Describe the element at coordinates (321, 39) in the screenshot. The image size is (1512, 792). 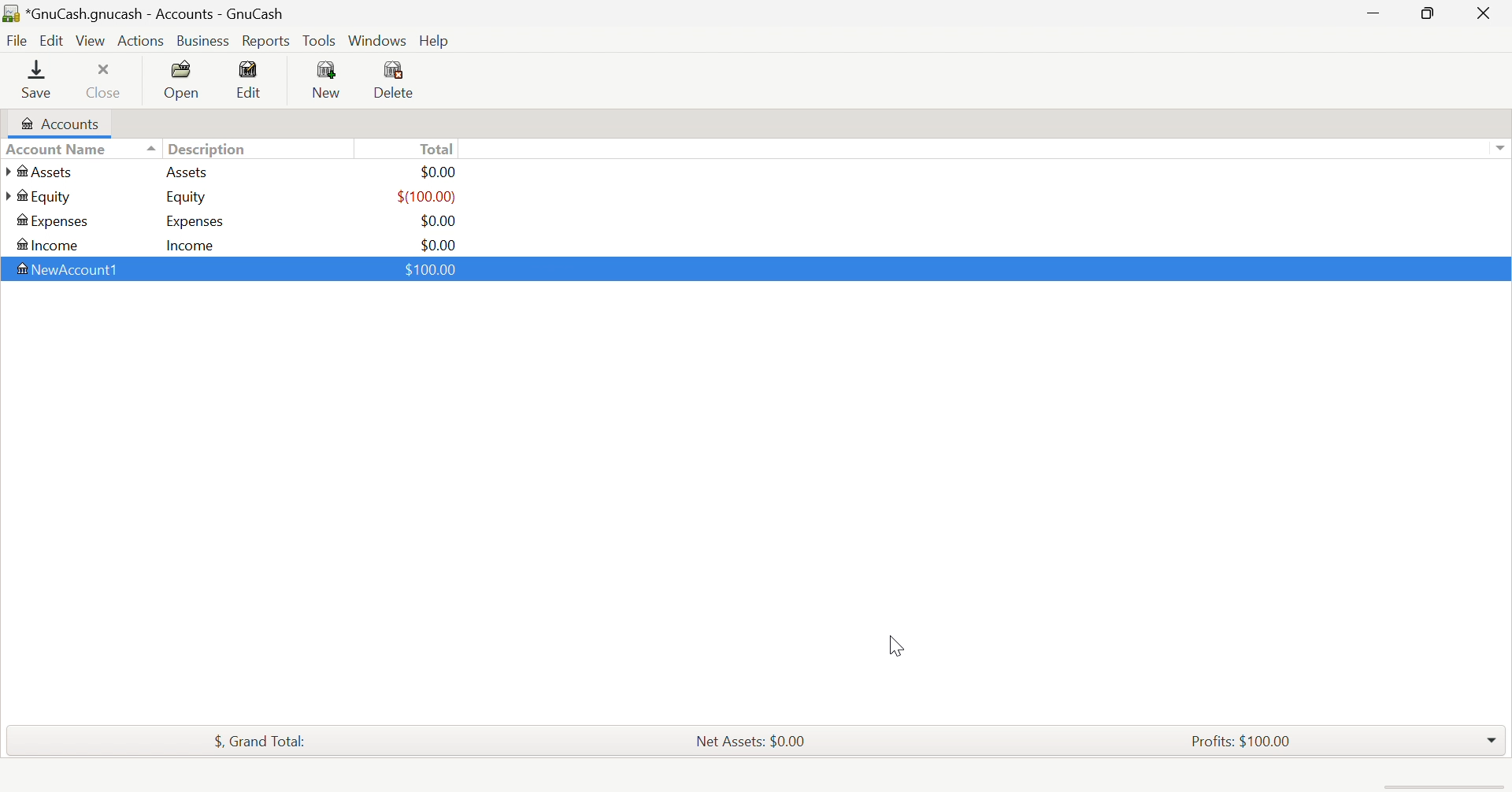
I see `Tools` at that location.